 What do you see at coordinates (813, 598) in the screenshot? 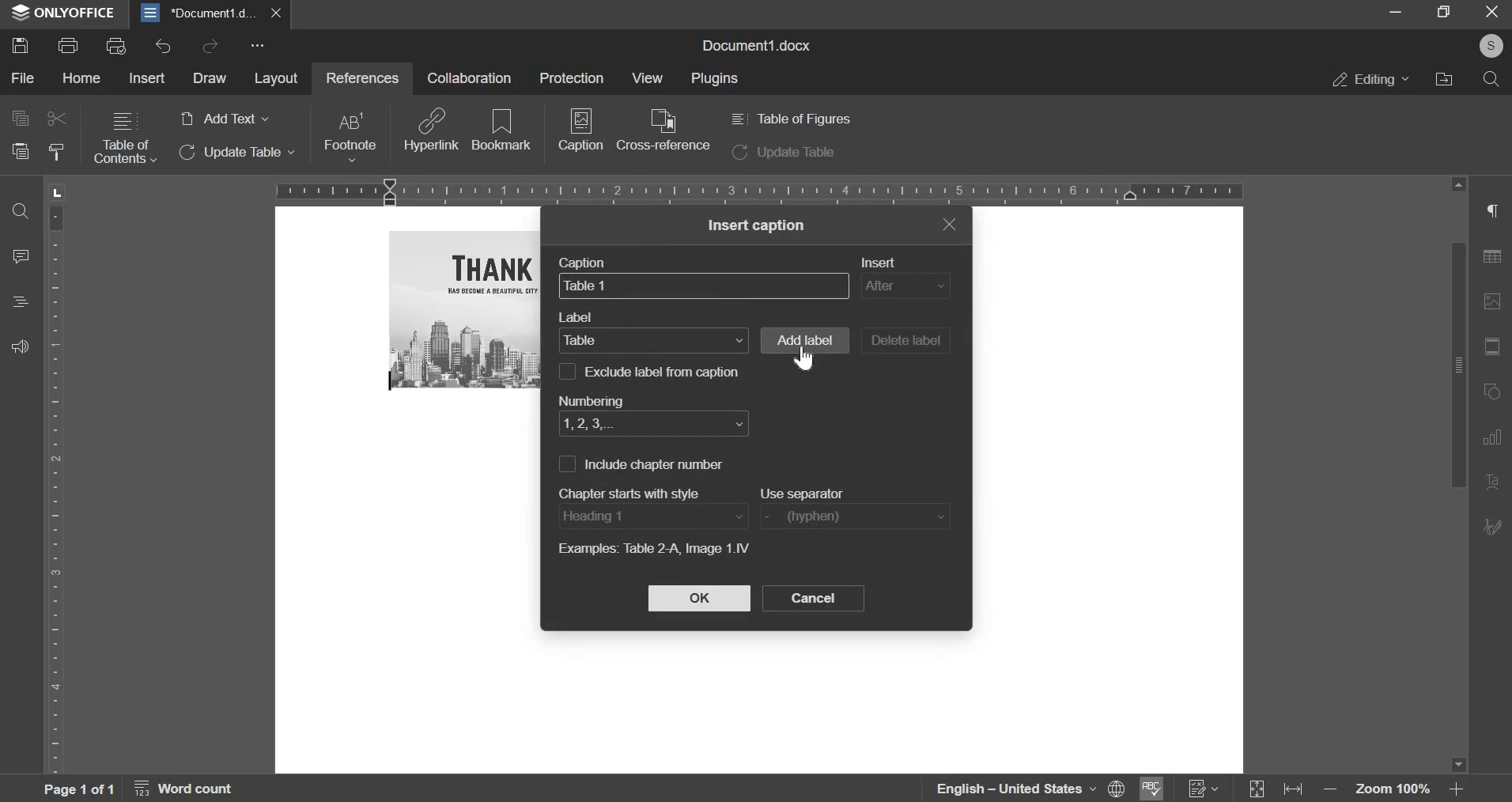
I see `cancel` at bounding box center [813, 598].